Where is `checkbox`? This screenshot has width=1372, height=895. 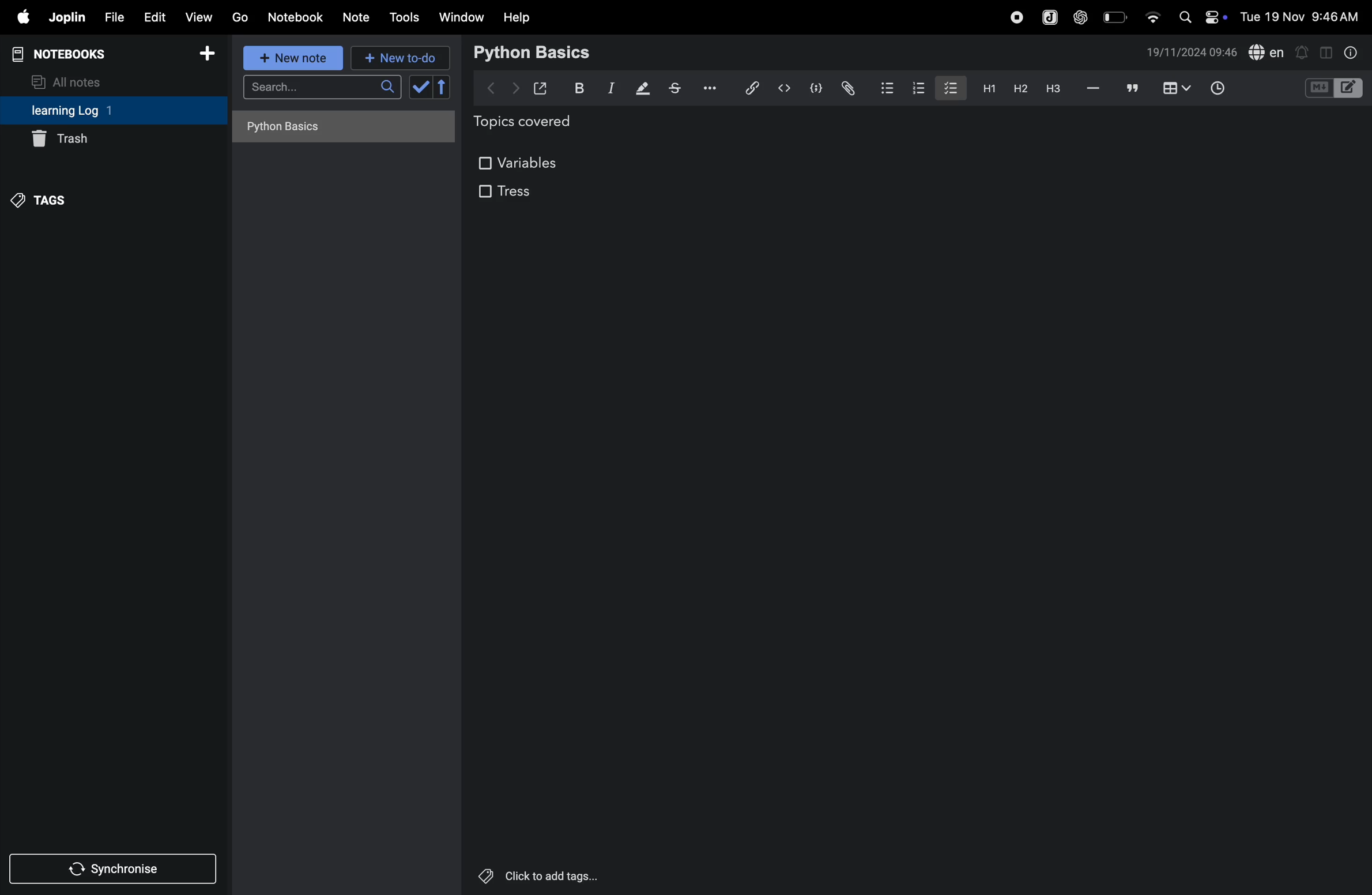 checkbox is located at coordinates (949, 87).